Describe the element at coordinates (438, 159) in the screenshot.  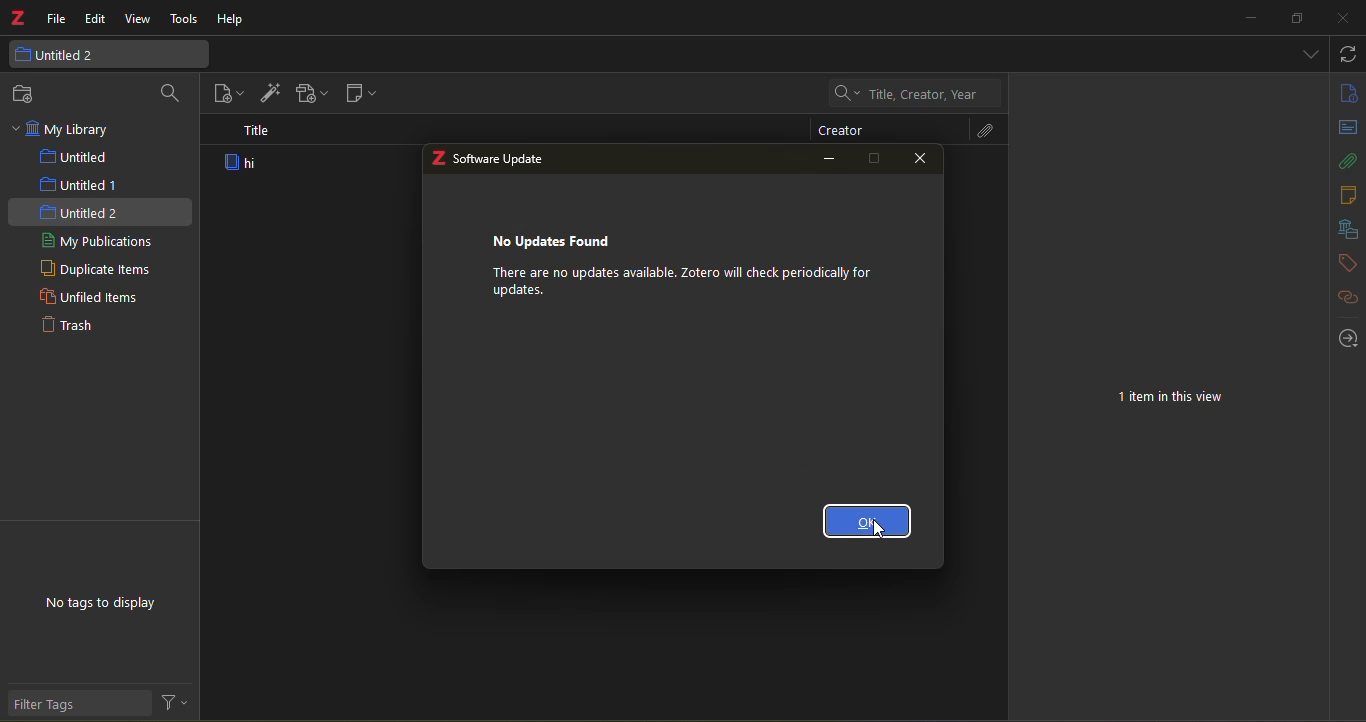
I see `logo` at that location.